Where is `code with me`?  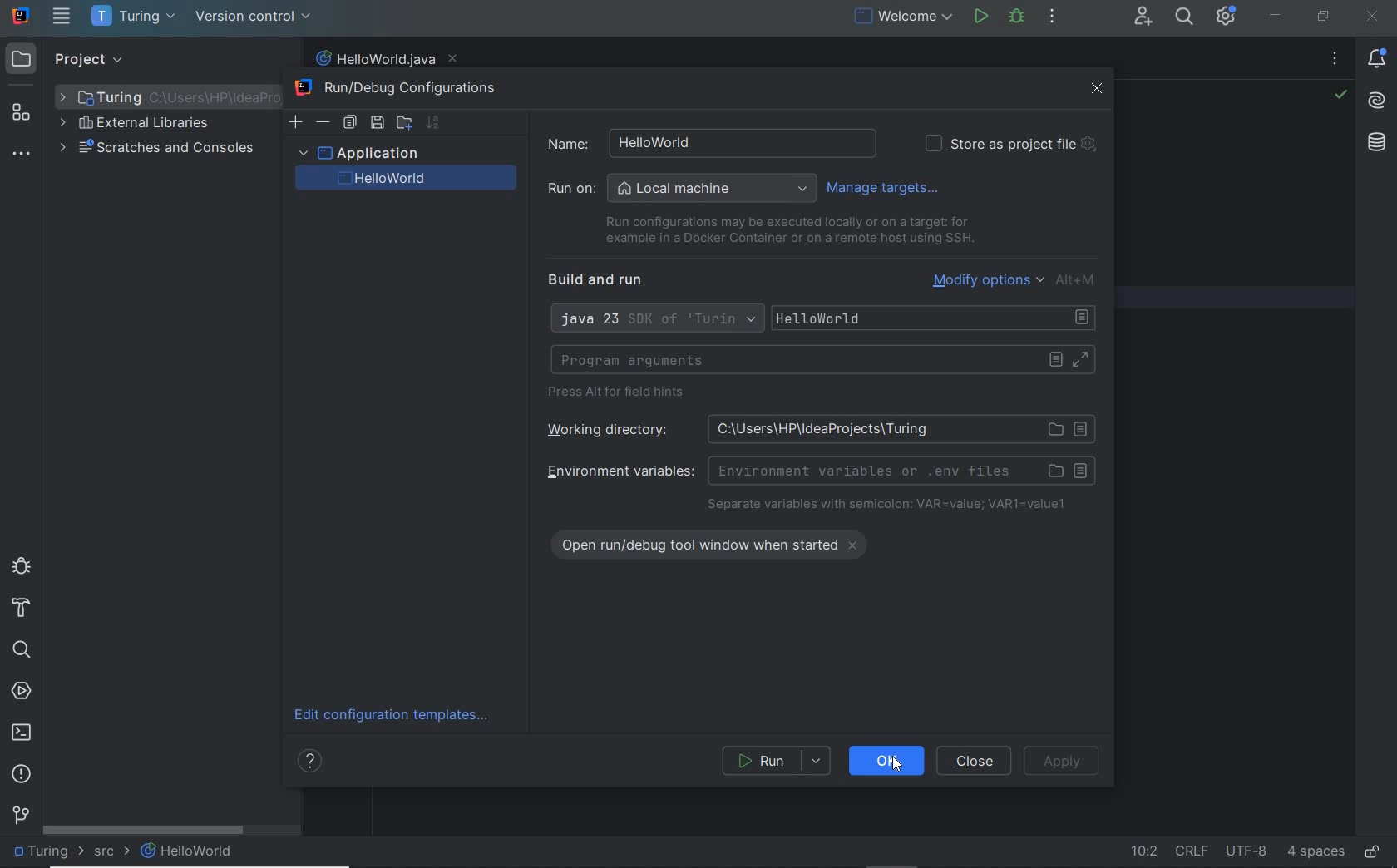
code with me is located at coordinates (1144, 18).